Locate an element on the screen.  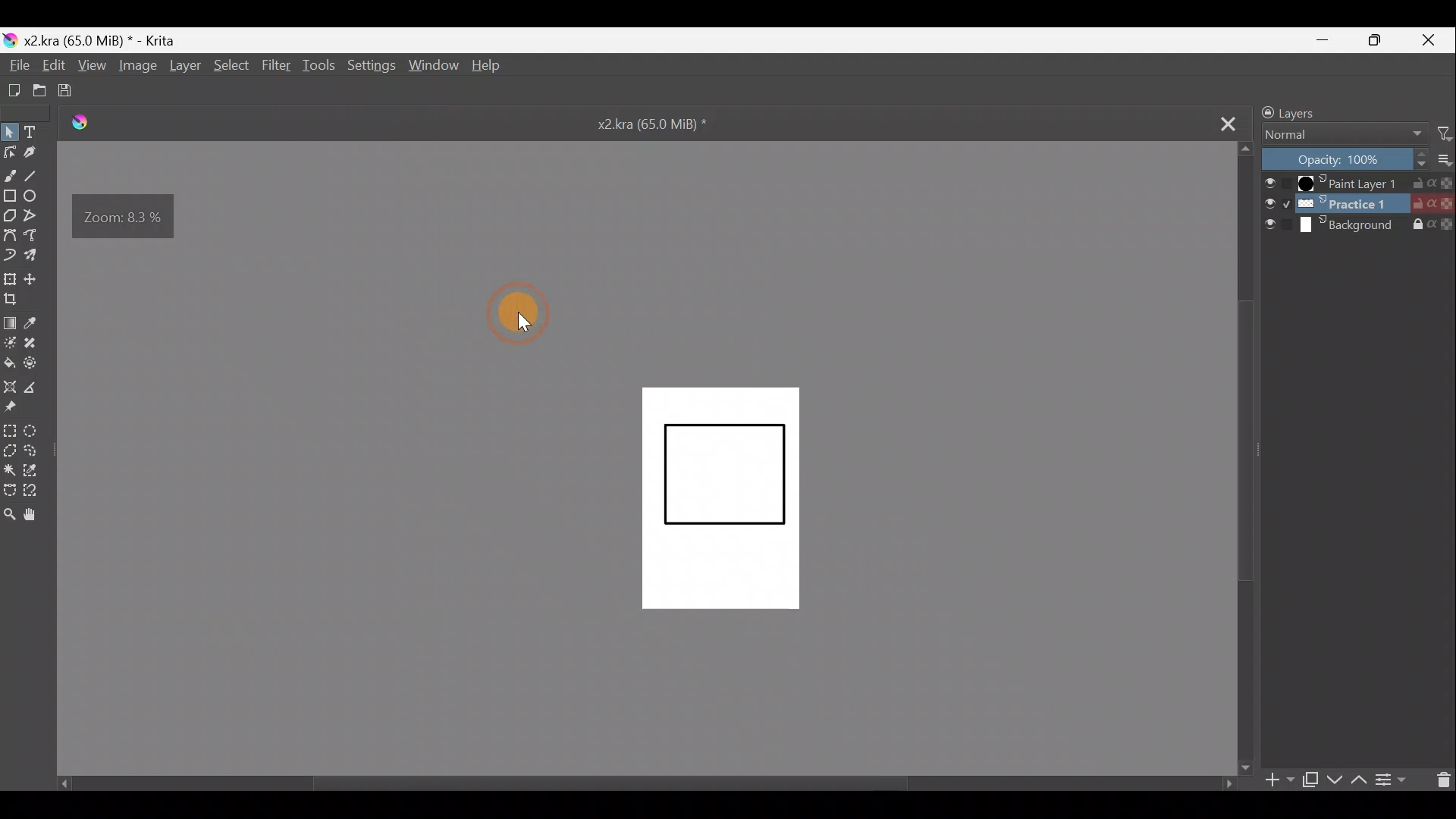
Zoom tool is located at coordinates (12, 516).